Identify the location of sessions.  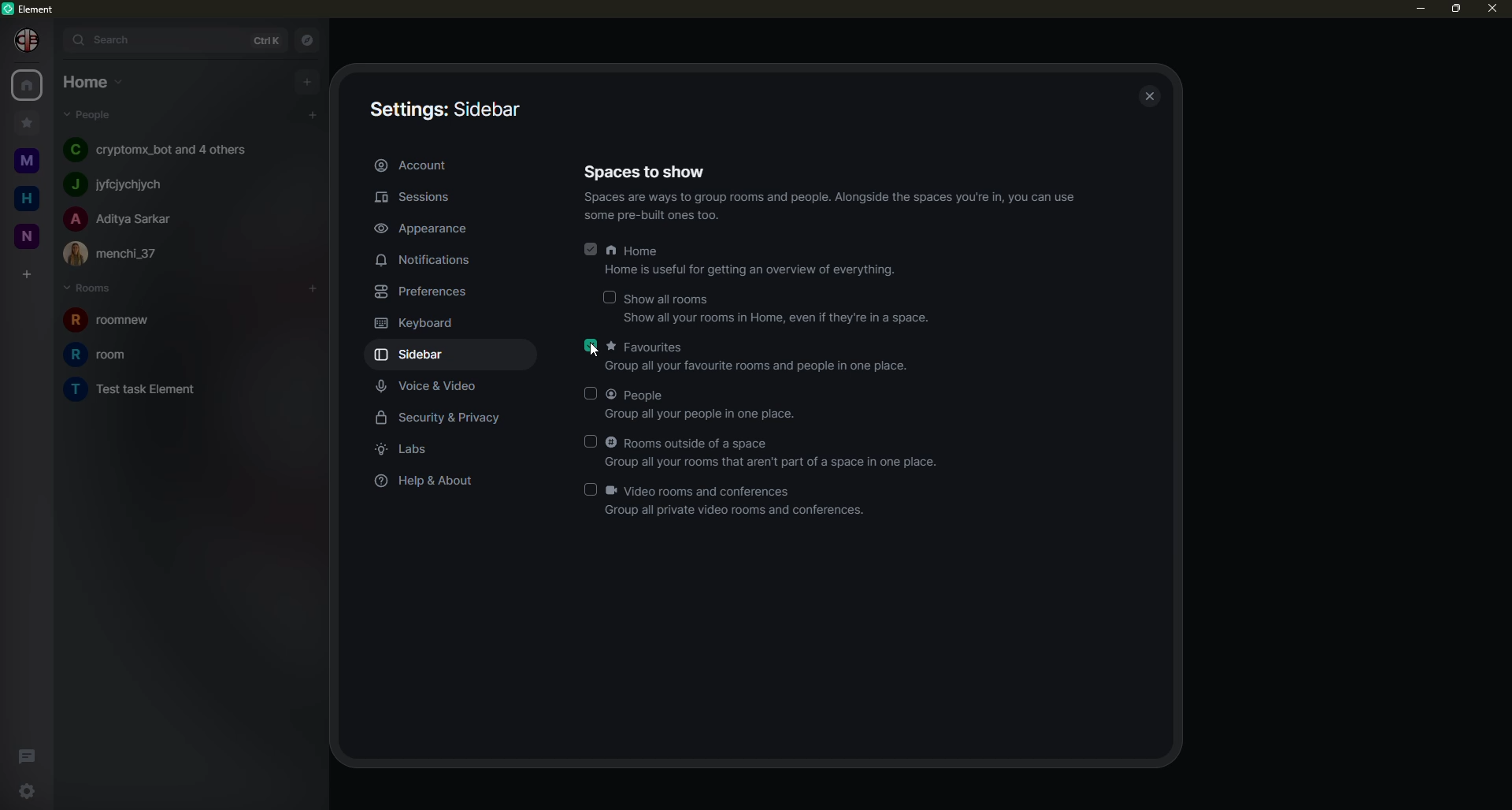
(417, 196).